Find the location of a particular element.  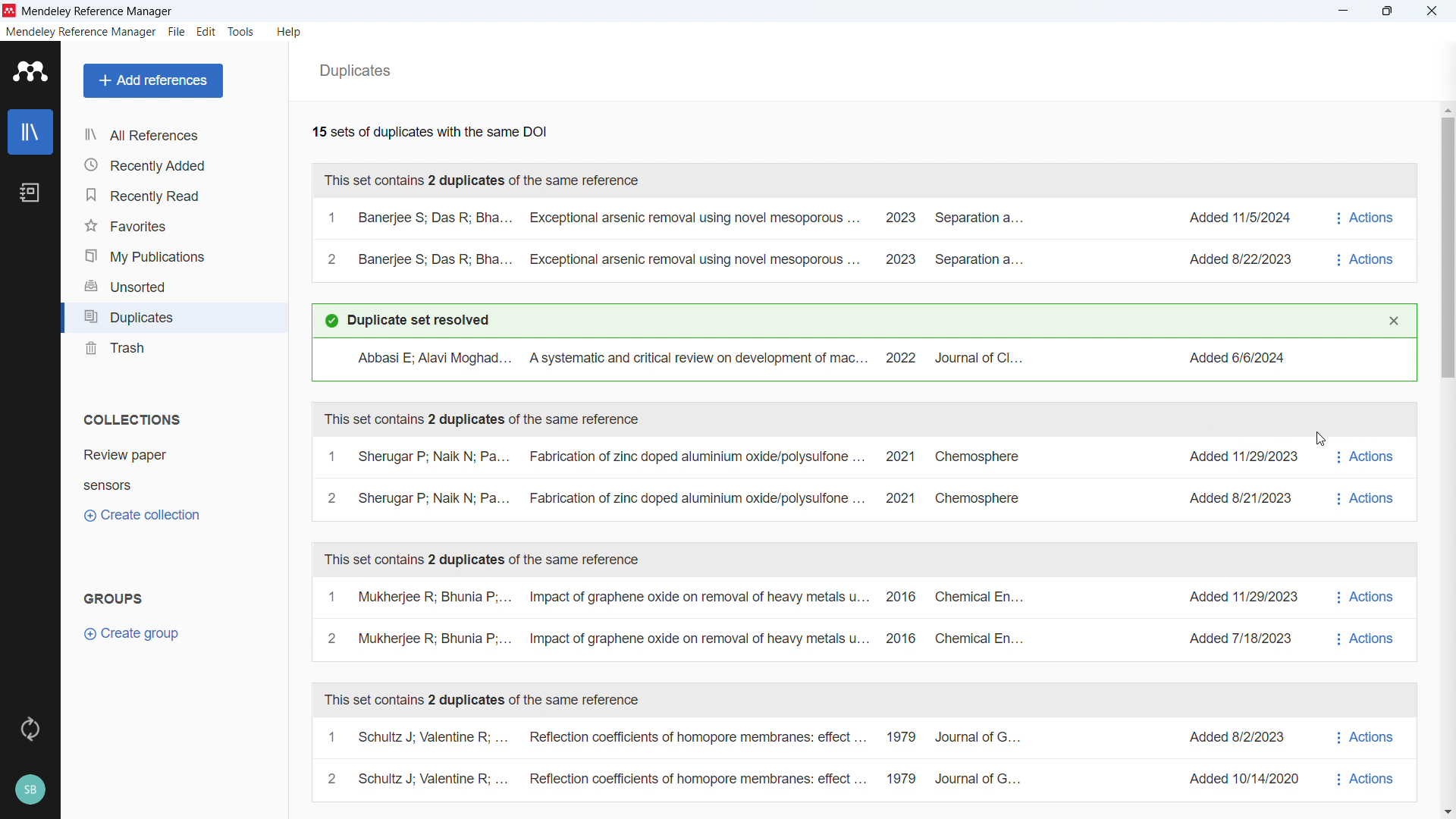

Collection 1  is located at coordinates (127, 455).